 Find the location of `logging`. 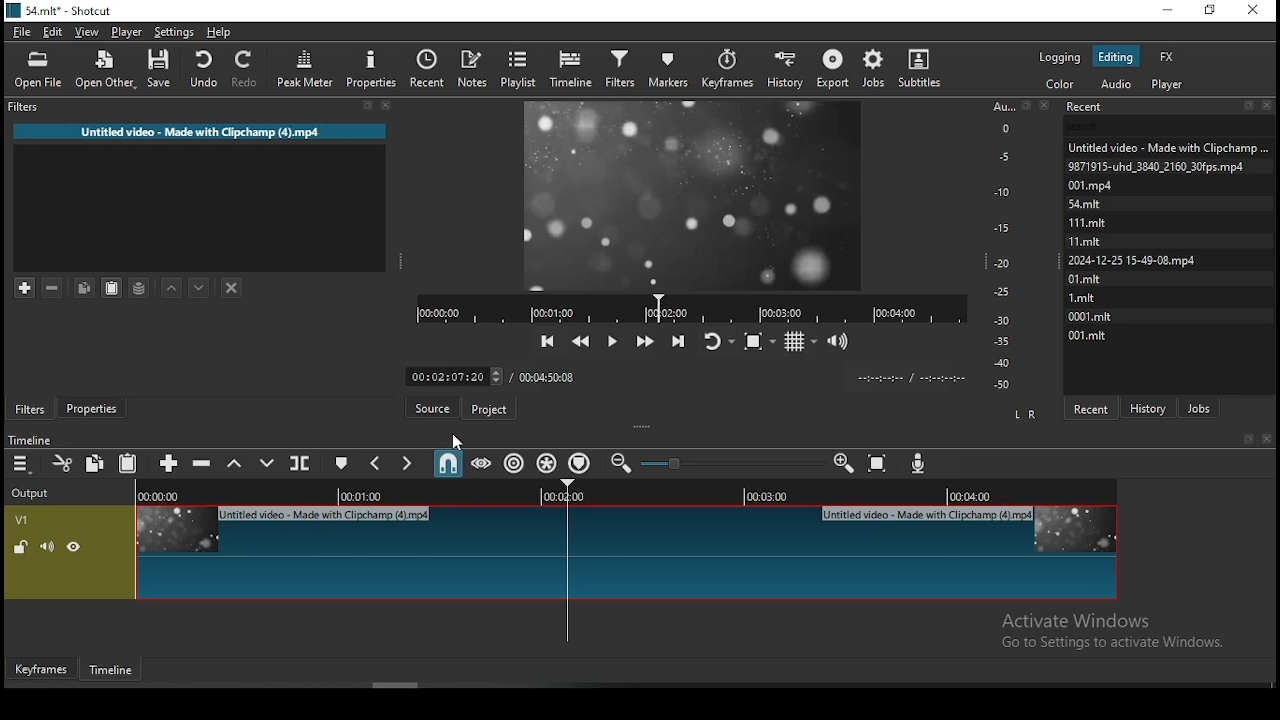

logging is located at coordinates (1059, 57).